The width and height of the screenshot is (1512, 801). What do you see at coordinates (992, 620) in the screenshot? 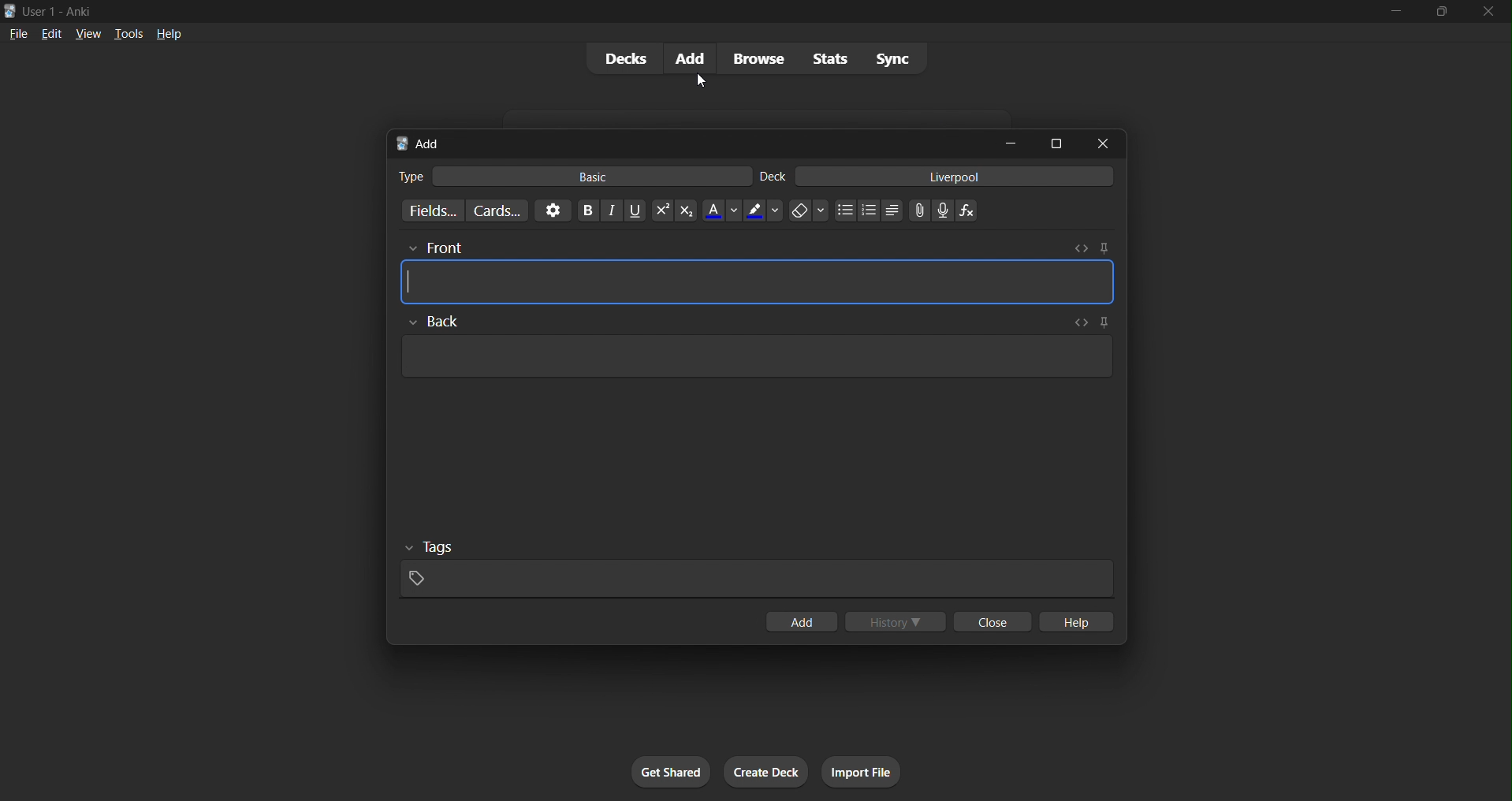
I see `close` at bounding box center [992, 620].